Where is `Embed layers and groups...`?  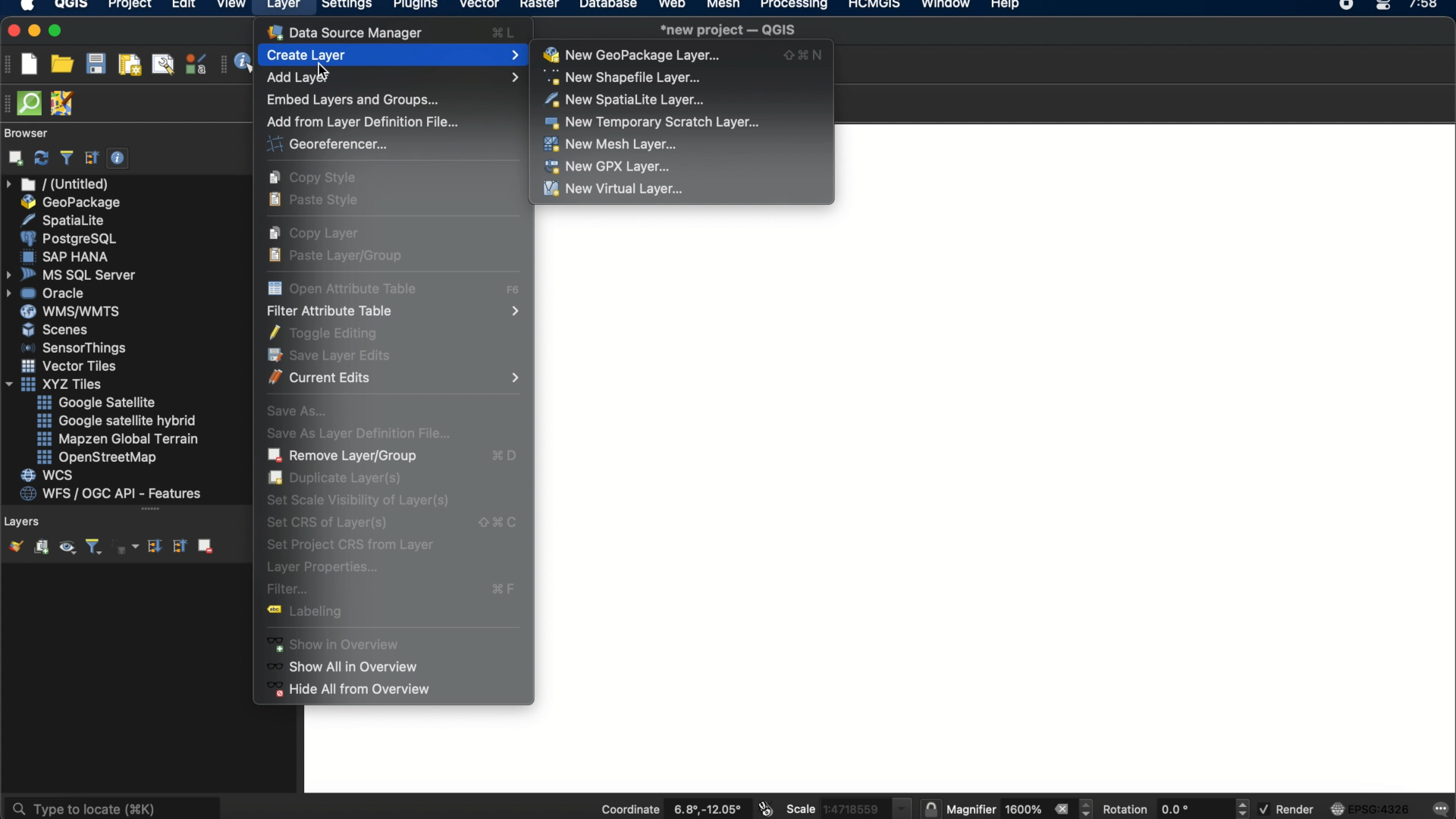 Embed layers and groups... is located at coordinates (351, 100).